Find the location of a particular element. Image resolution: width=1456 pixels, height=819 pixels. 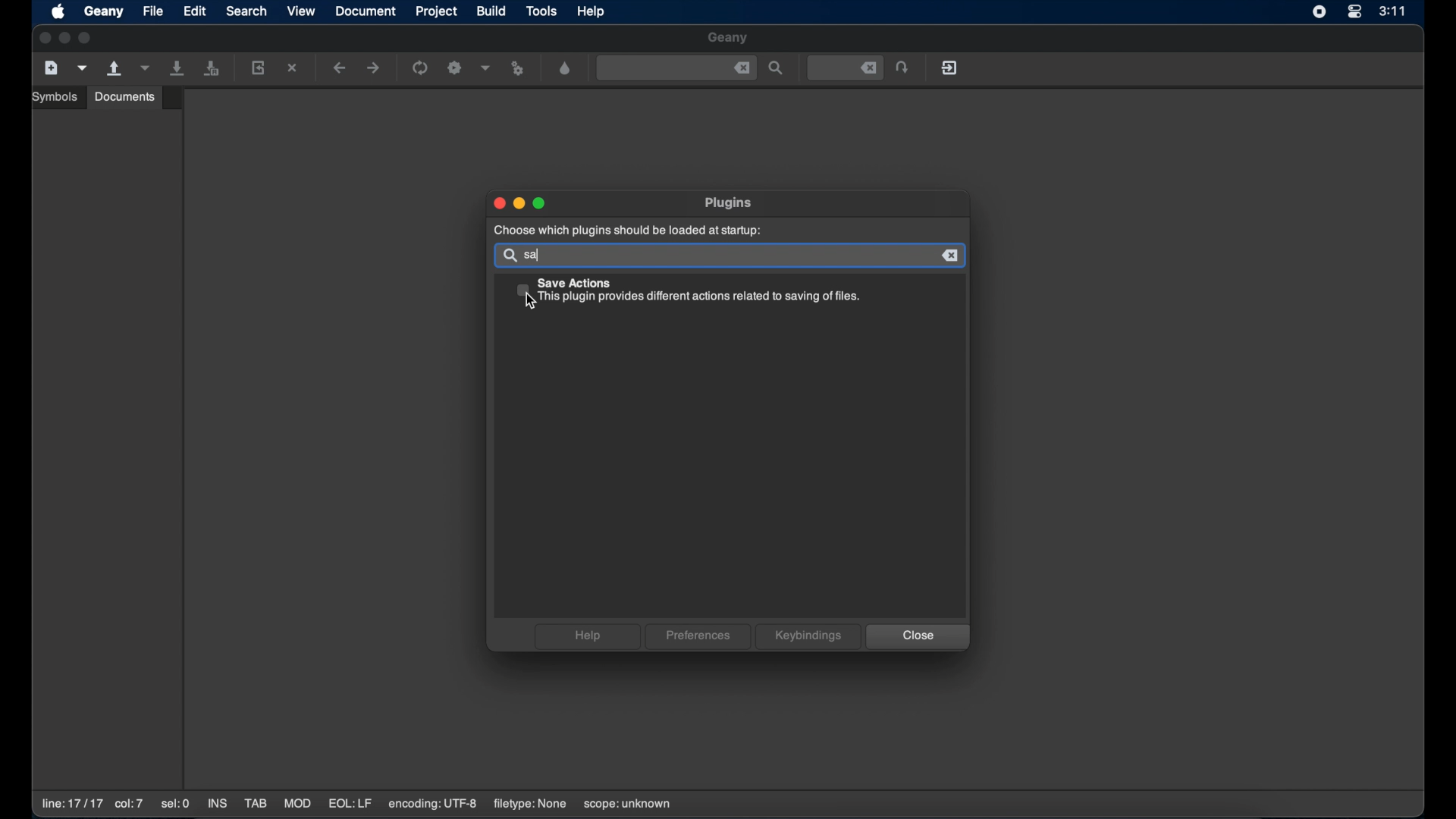

screen recorder icon is located at coordinates (1319, 12).